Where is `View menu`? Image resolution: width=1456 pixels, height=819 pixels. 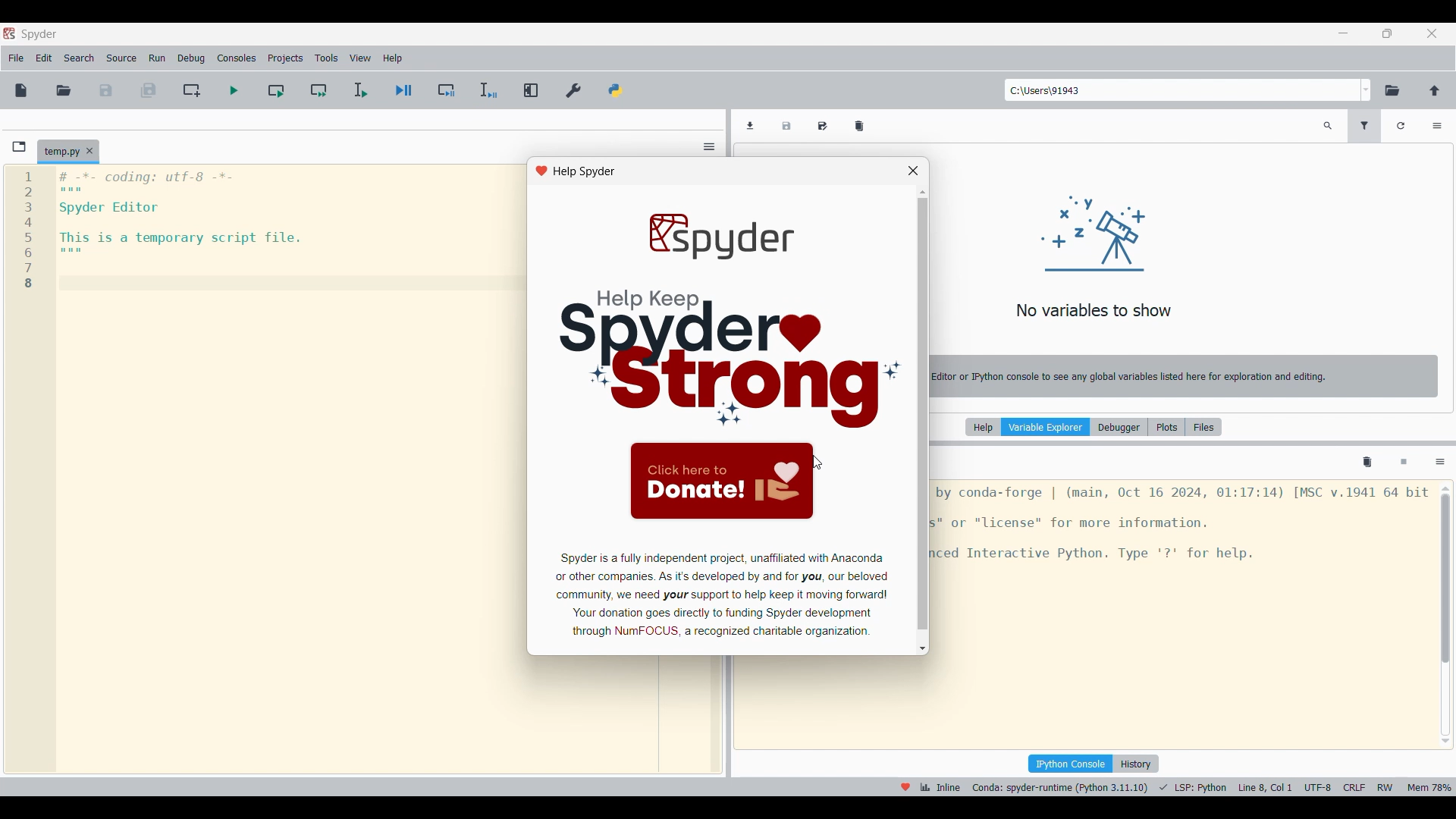
View menu is located at coordinates (360, 58).